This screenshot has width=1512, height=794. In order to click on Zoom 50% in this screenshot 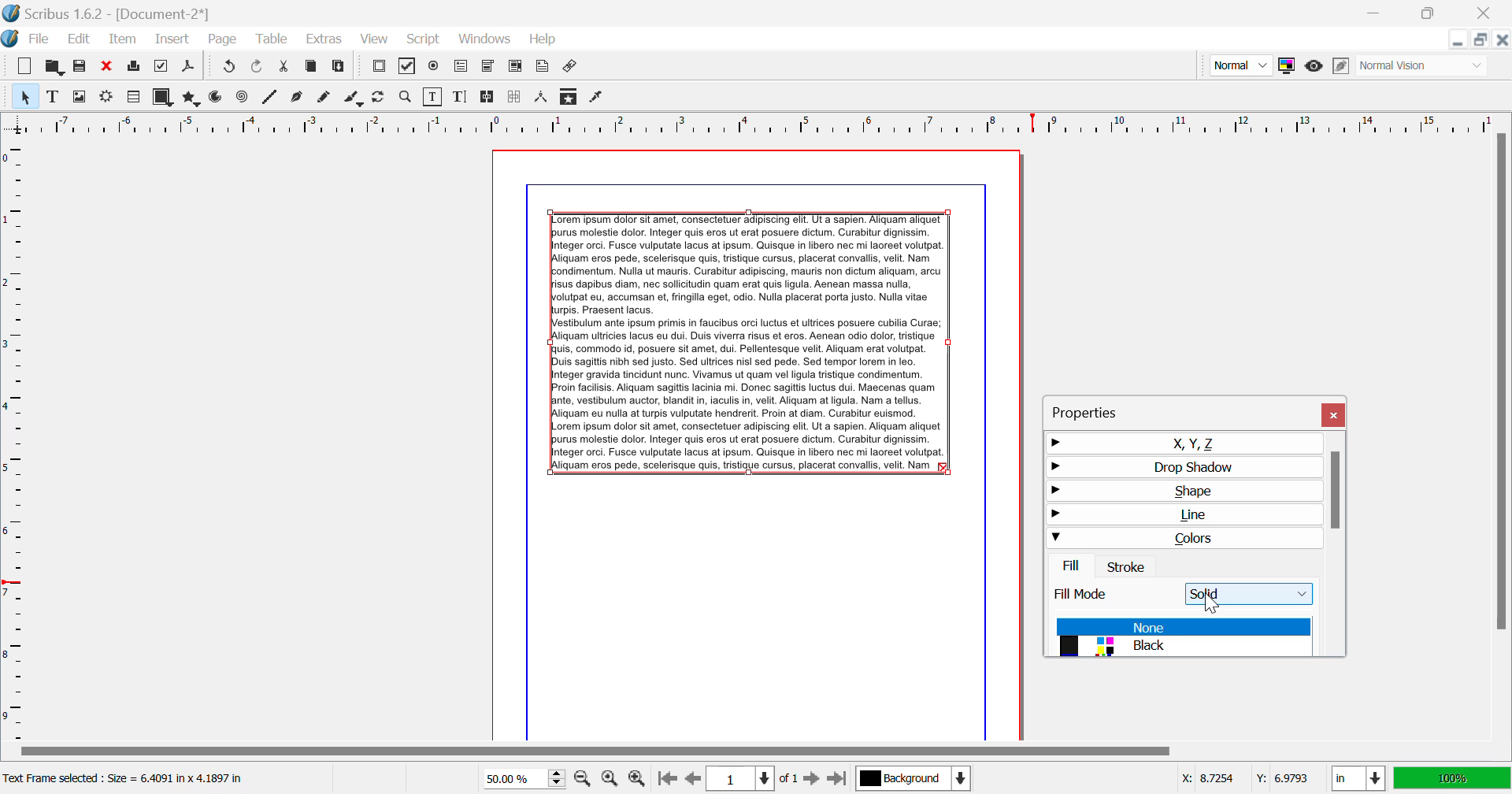, I will do `click(518, 778)`.